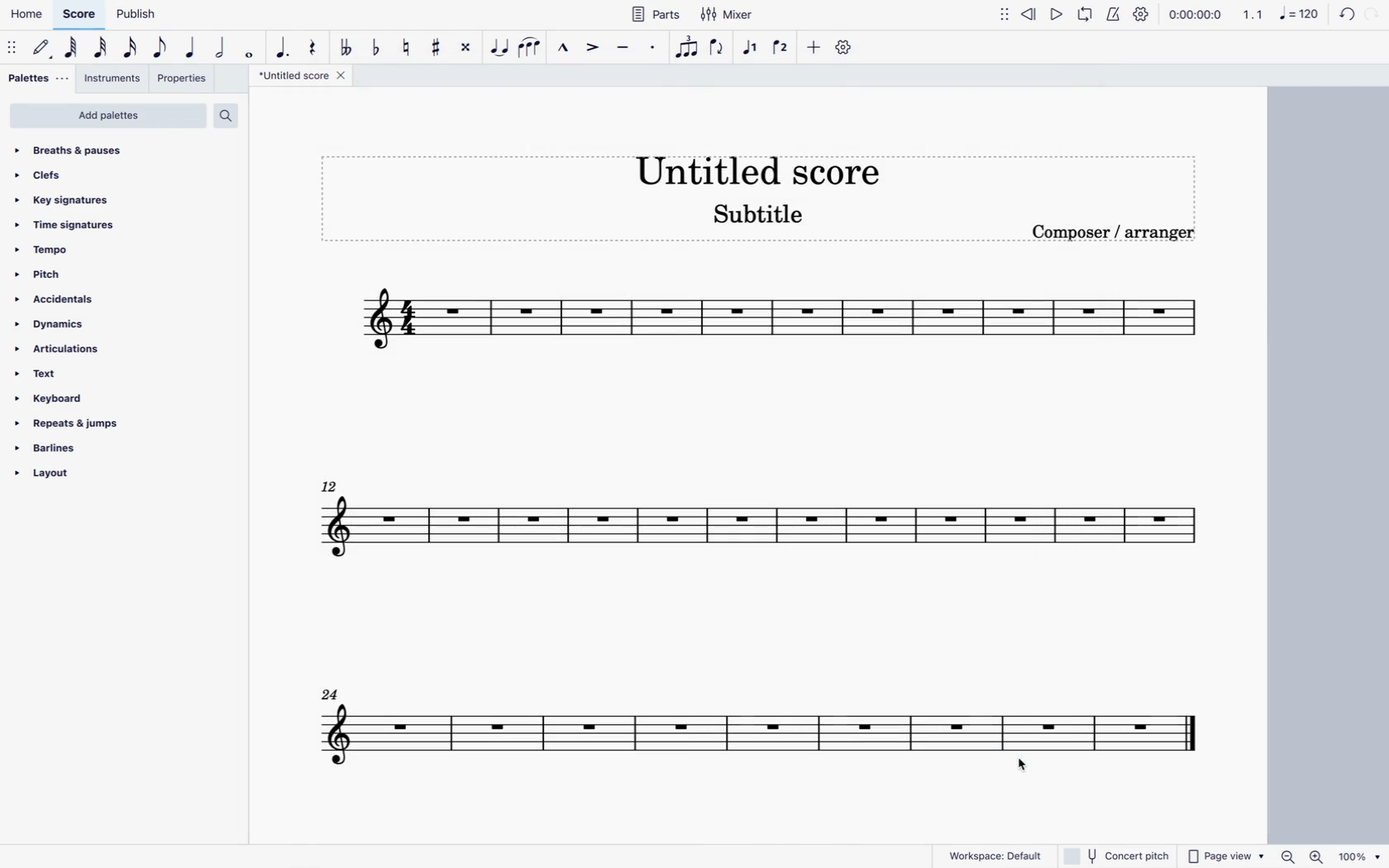 The width and height of the screenshot is (1389, 868). Describe the element at coordinates (42, 50) in the screenshot. I see `default` at that location.